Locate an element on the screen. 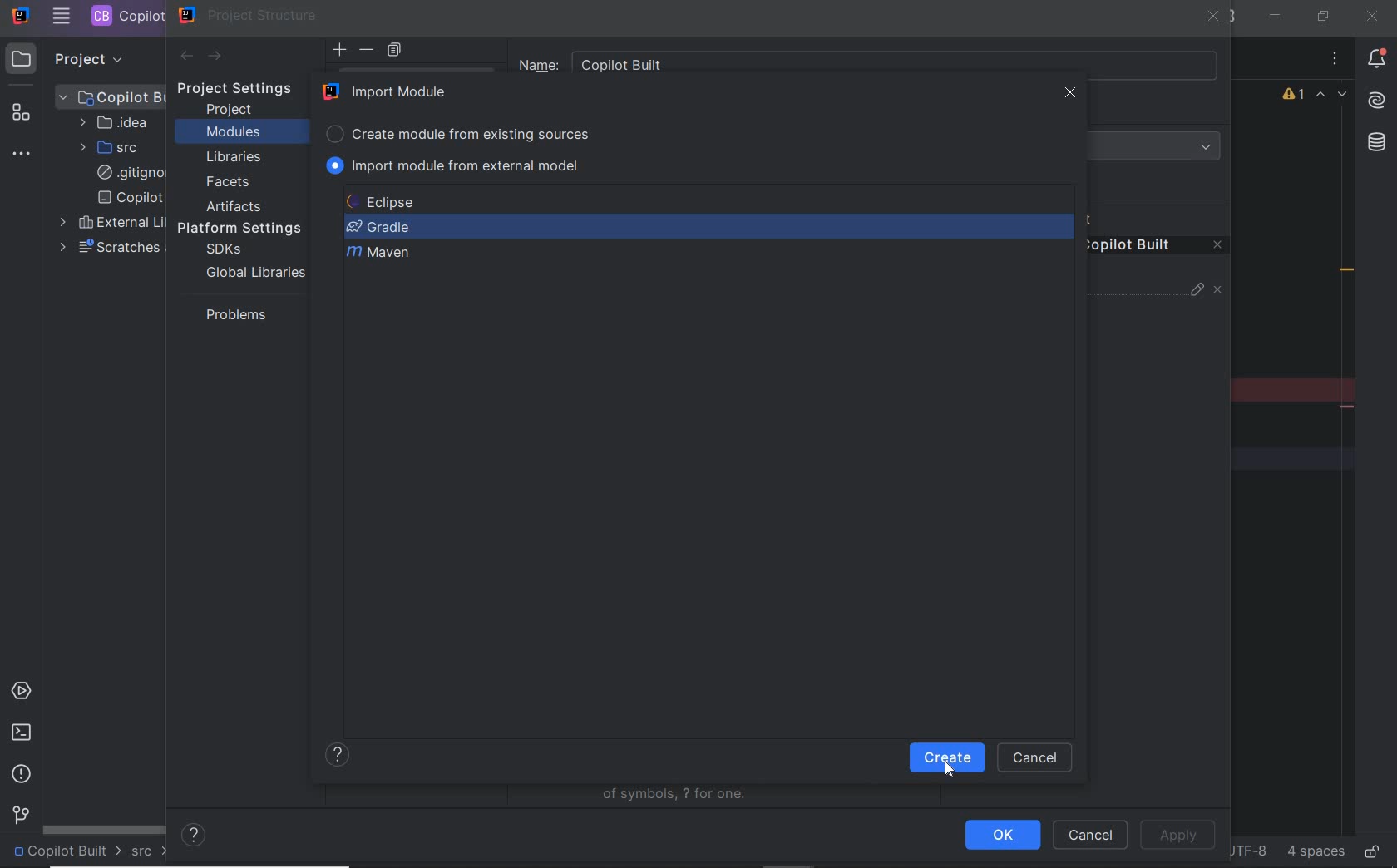 The width and height of the screenshot is (1397, 868). problems is located at coordinates (232, 314).